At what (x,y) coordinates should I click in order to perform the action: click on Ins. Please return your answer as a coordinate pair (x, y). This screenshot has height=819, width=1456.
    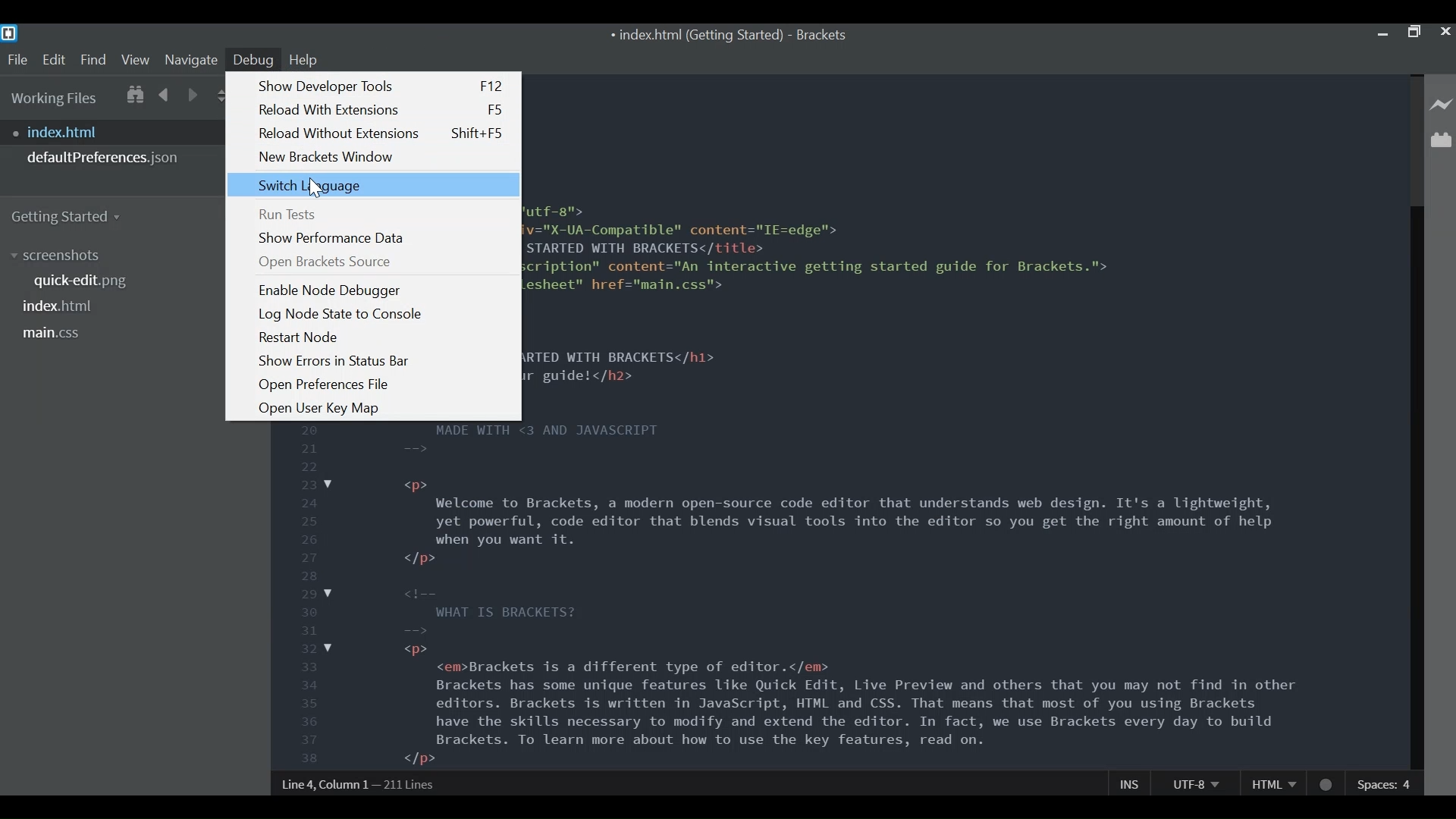
    Looking at the image, I should click on (1131, 783).